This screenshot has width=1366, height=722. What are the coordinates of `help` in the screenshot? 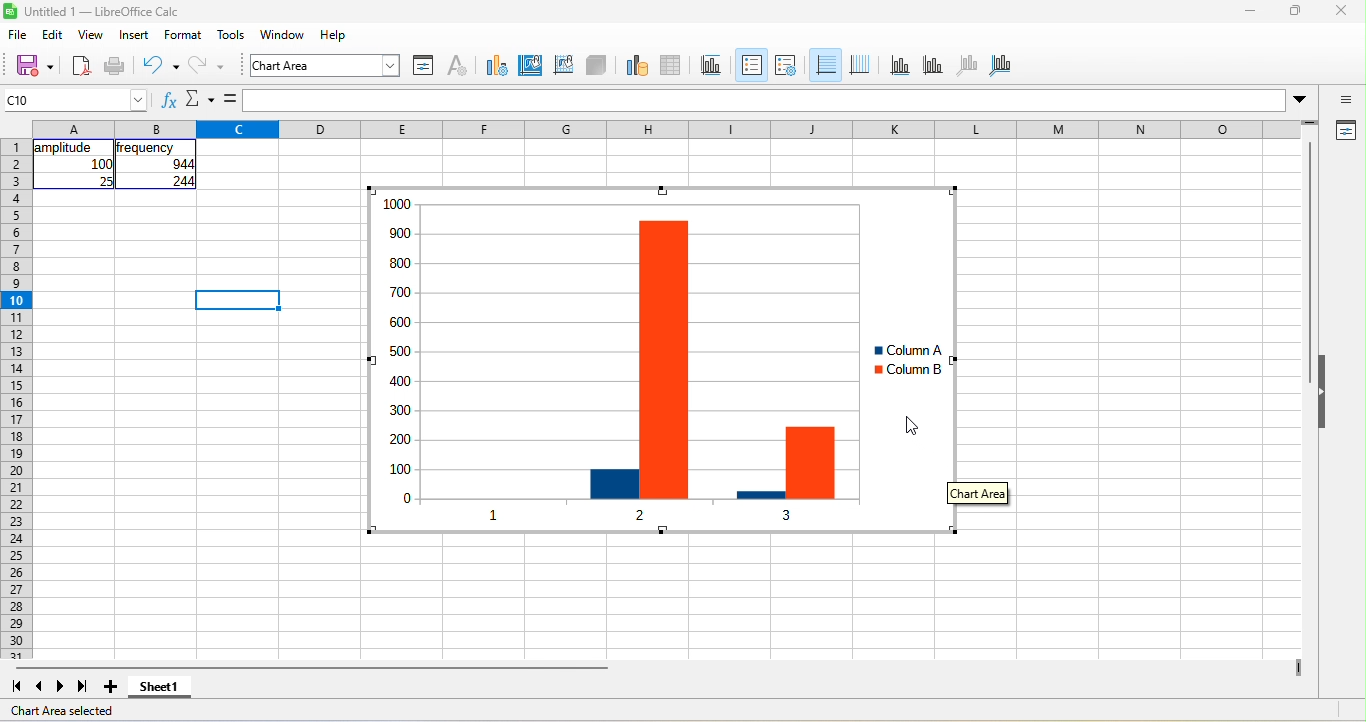 It's located at (334, 34).